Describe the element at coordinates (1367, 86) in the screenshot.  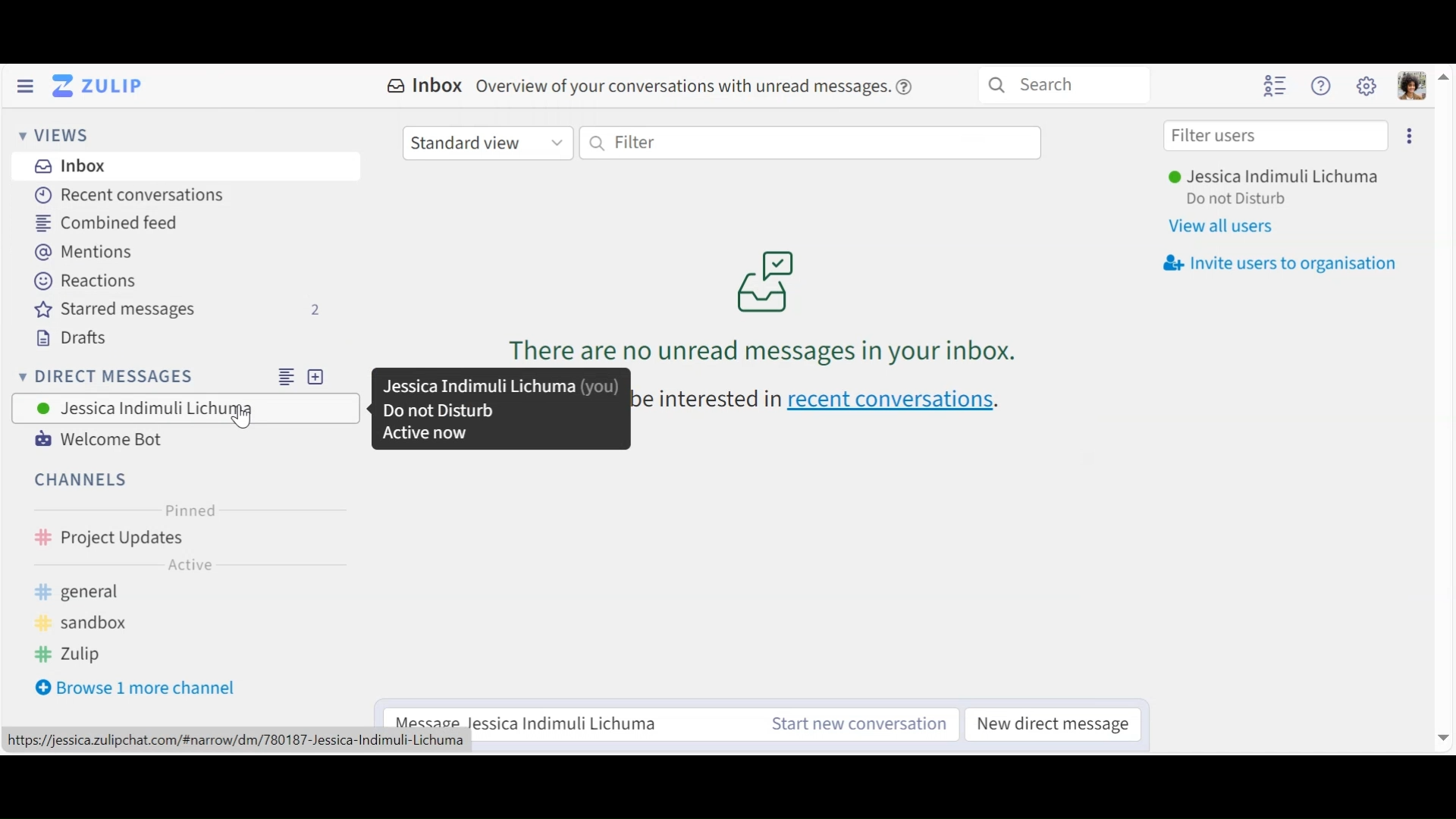
I see `Main menu` at that location.